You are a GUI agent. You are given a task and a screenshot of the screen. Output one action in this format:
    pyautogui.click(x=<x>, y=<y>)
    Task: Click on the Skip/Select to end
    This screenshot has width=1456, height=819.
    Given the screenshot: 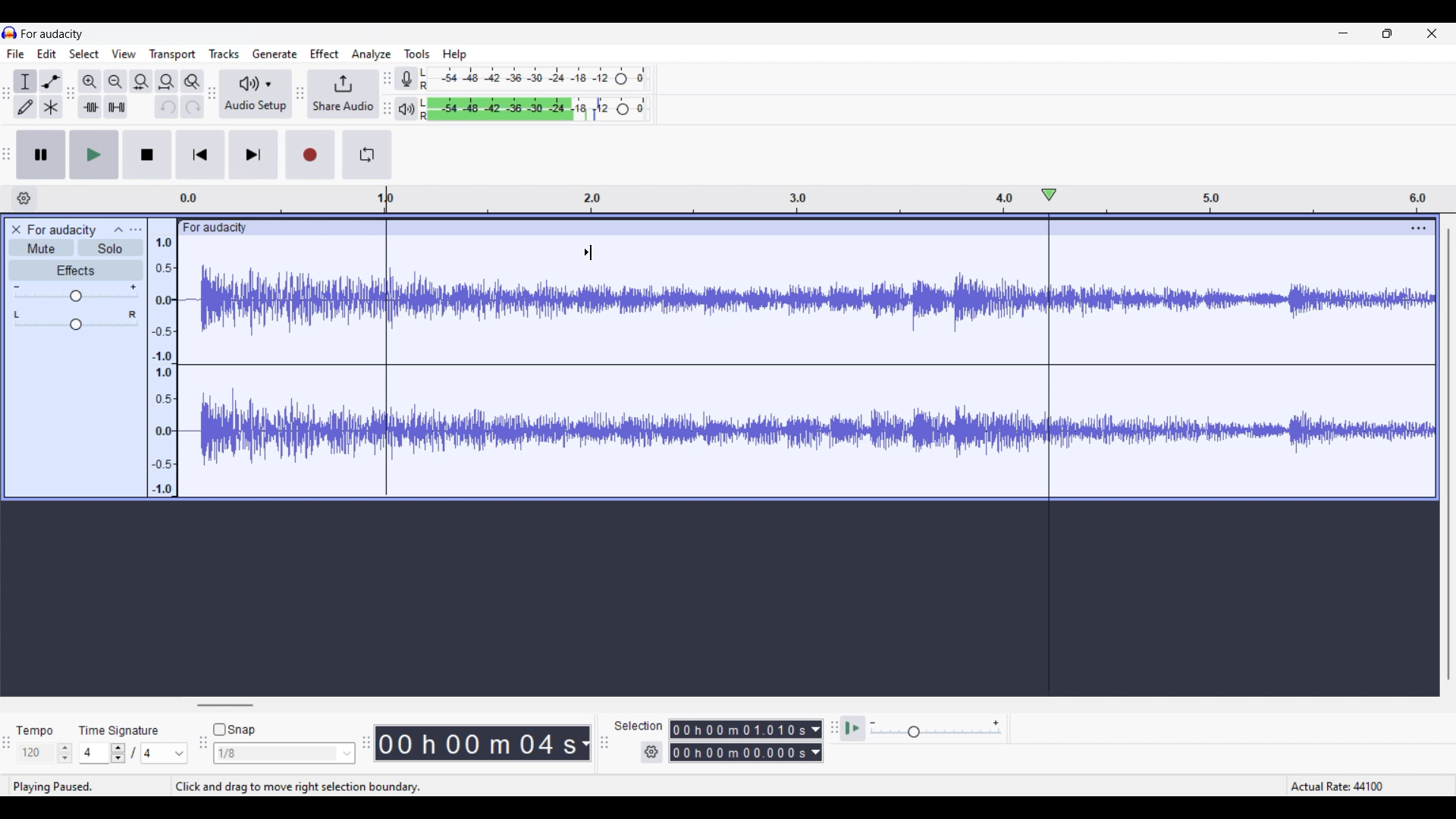 What is the action you would take?
    pyautogui.click(x=253, y=155)
    